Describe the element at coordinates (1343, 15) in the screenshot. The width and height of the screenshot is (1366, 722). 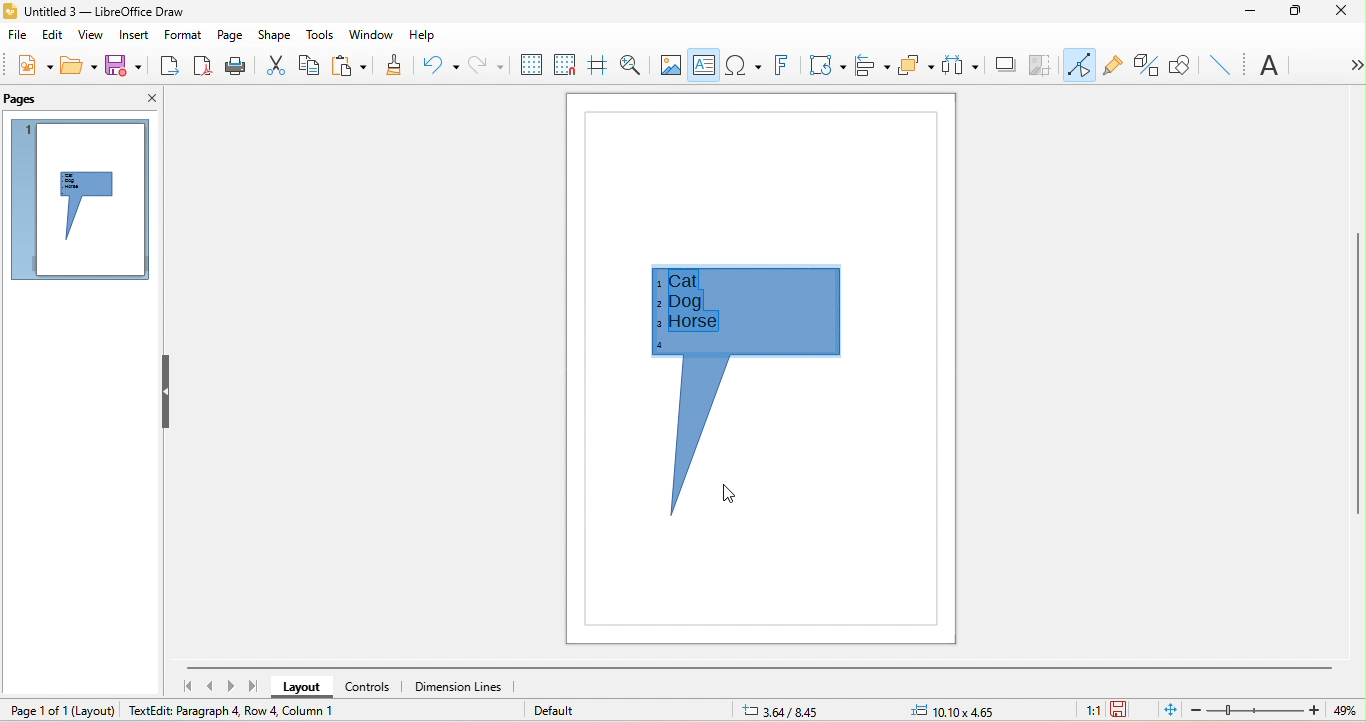
I see `close` at that location.